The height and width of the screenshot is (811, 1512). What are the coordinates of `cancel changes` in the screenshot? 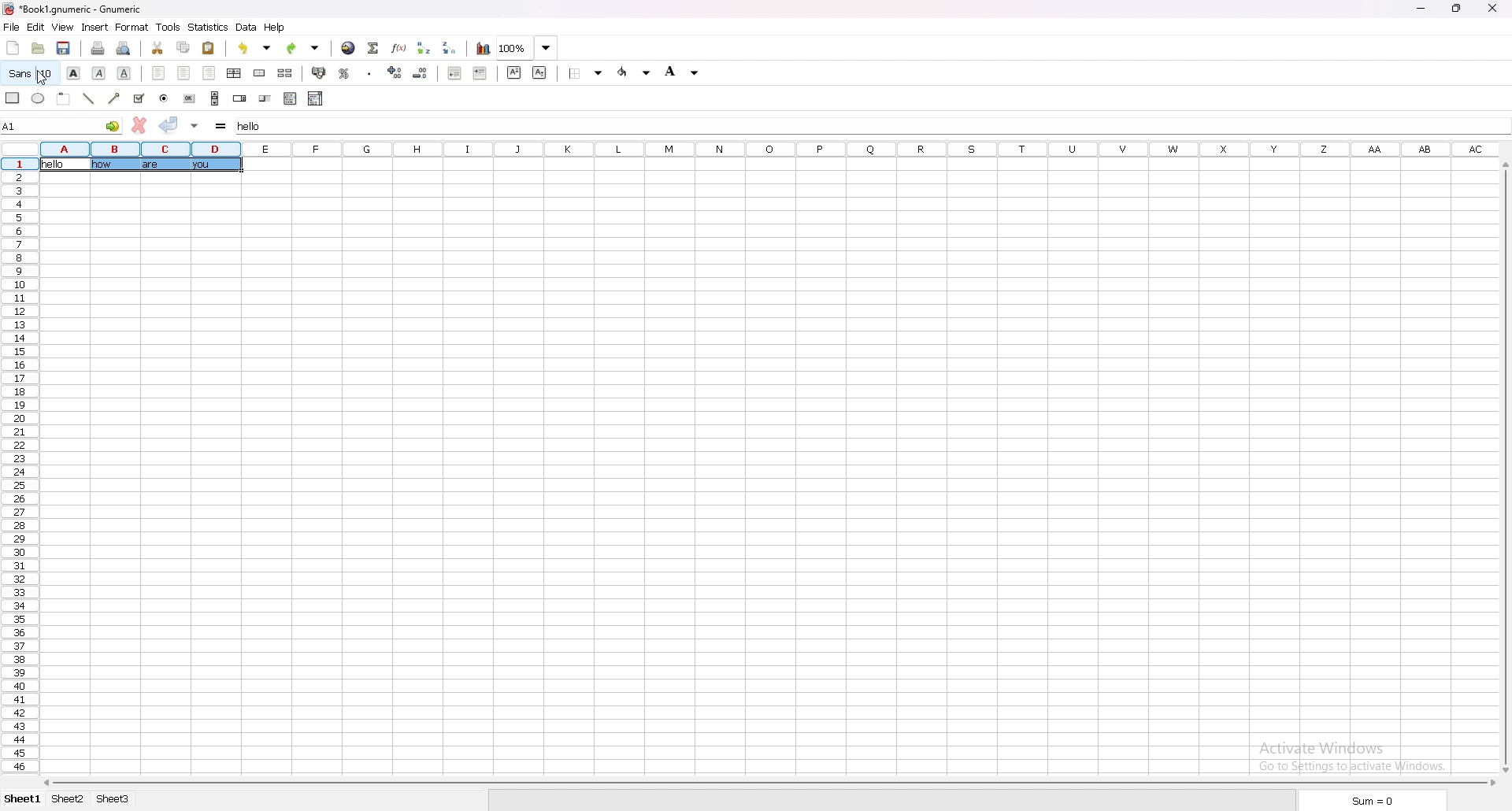 It's located at (139, 125).